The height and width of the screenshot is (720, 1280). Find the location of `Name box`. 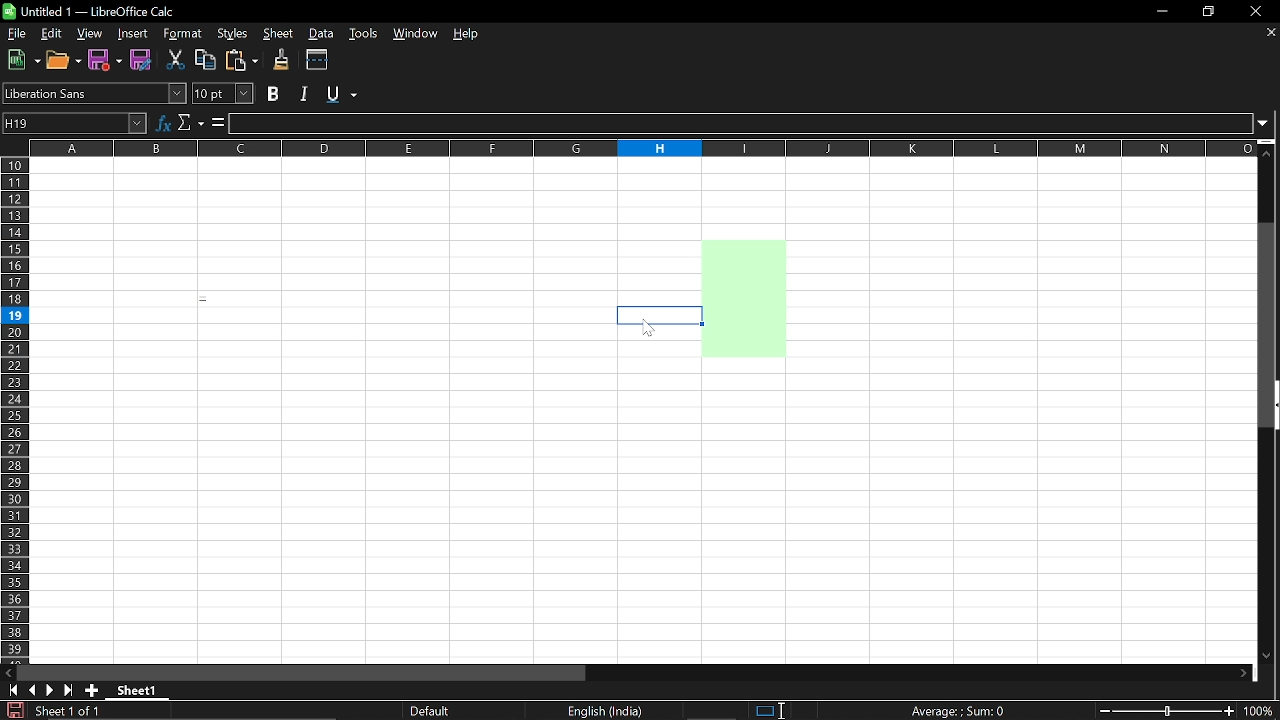

Name box is located at coordinates (74, 122).